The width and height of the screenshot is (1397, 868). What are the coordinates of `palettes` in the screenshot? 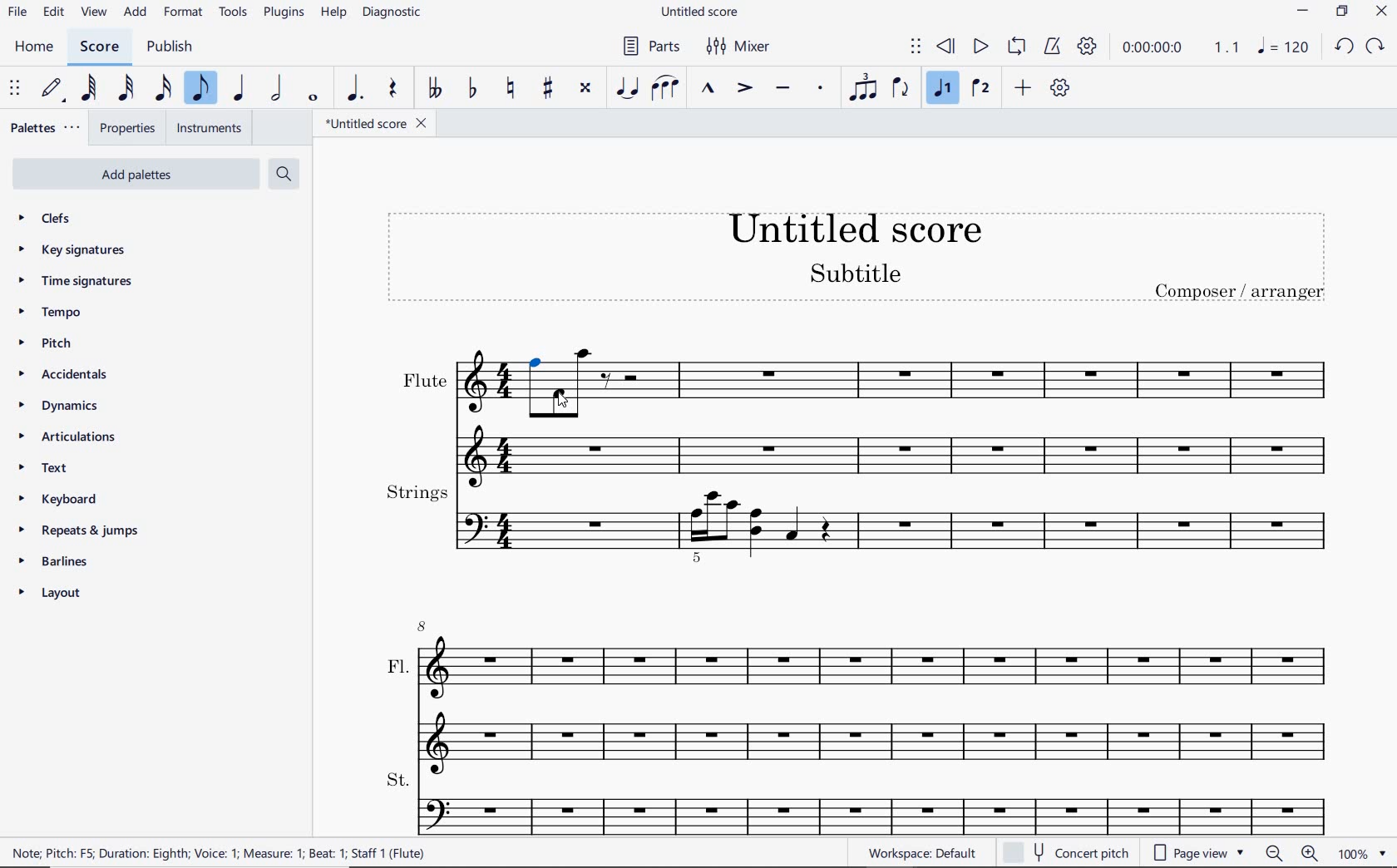 It's located at (47, 126).